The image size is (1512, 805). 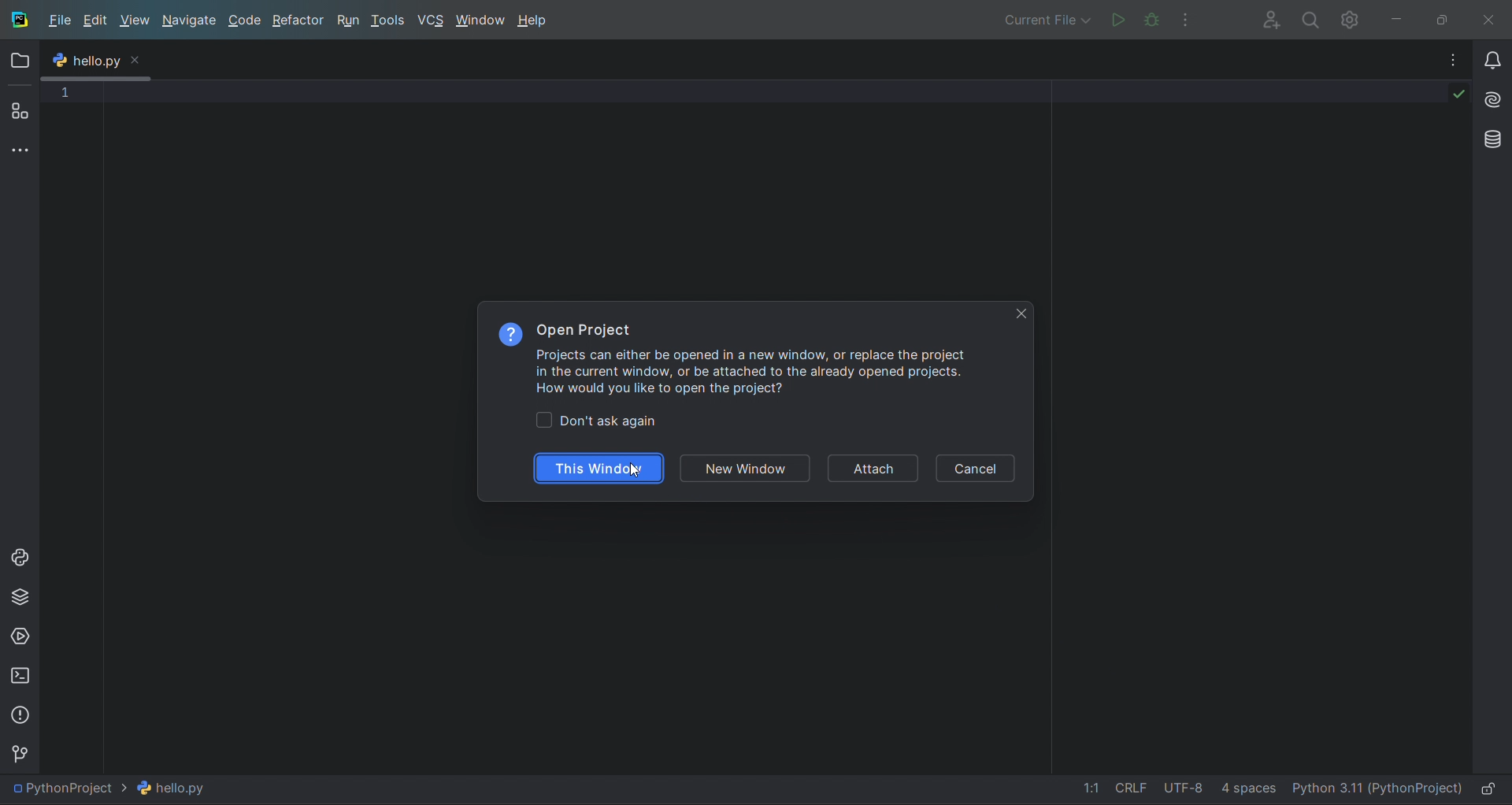 What do you see at coordinates (1046, 18) in the screenshot?
I see `debug/run options` at bounding box center [1046, 18].